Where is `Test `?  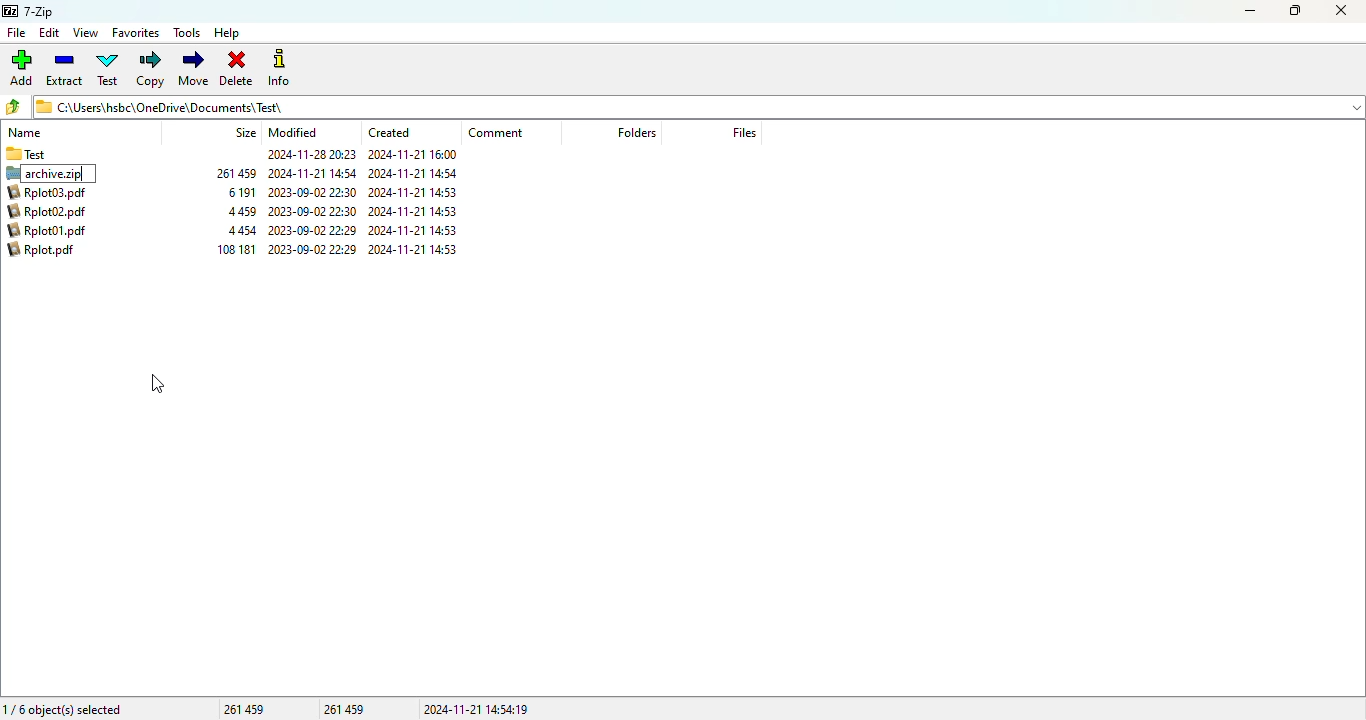 Test  is located at coordinates (59, 154).